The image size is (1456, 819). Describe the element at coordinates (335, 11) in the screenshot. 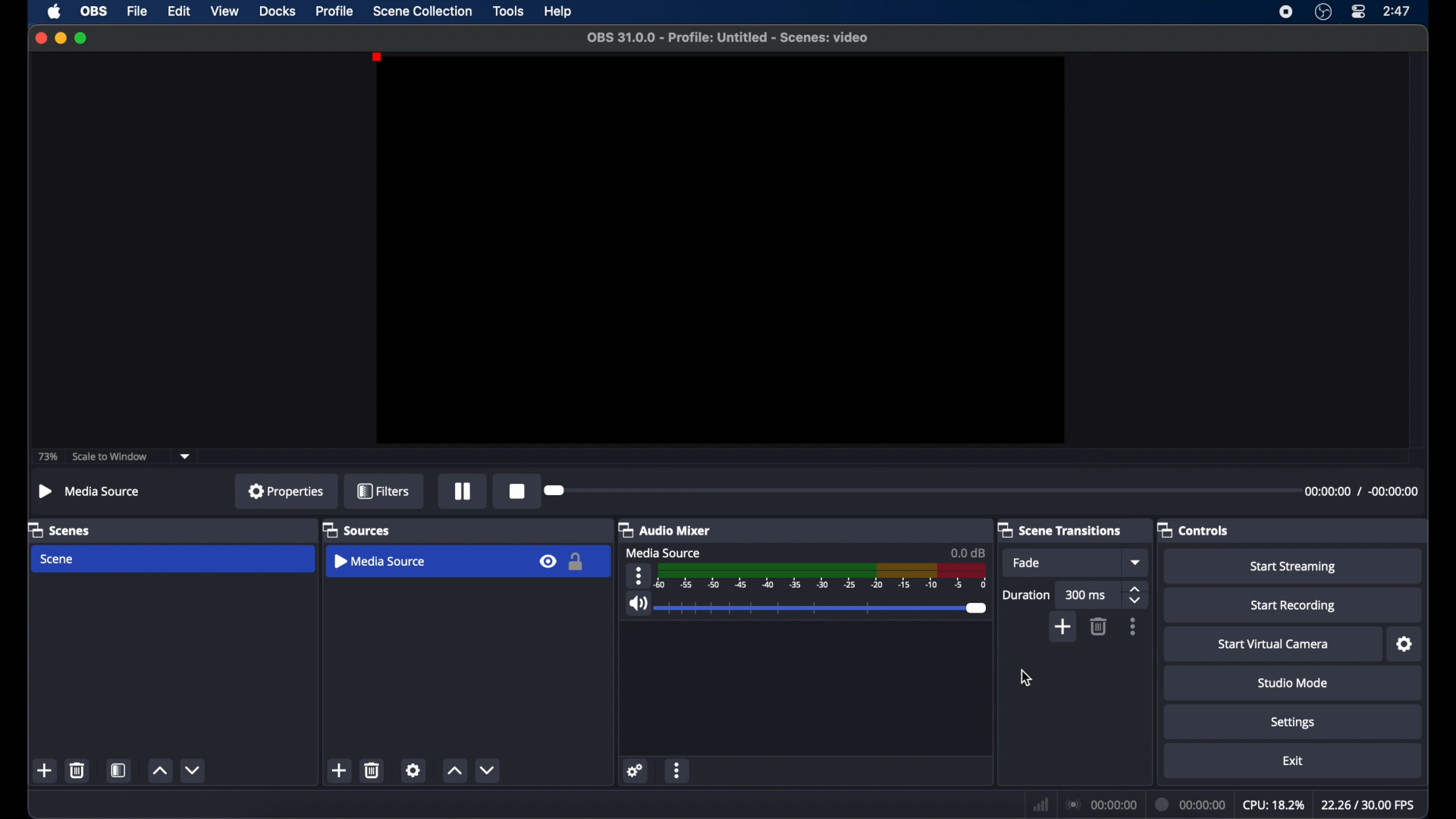

I see `profile` at that location.